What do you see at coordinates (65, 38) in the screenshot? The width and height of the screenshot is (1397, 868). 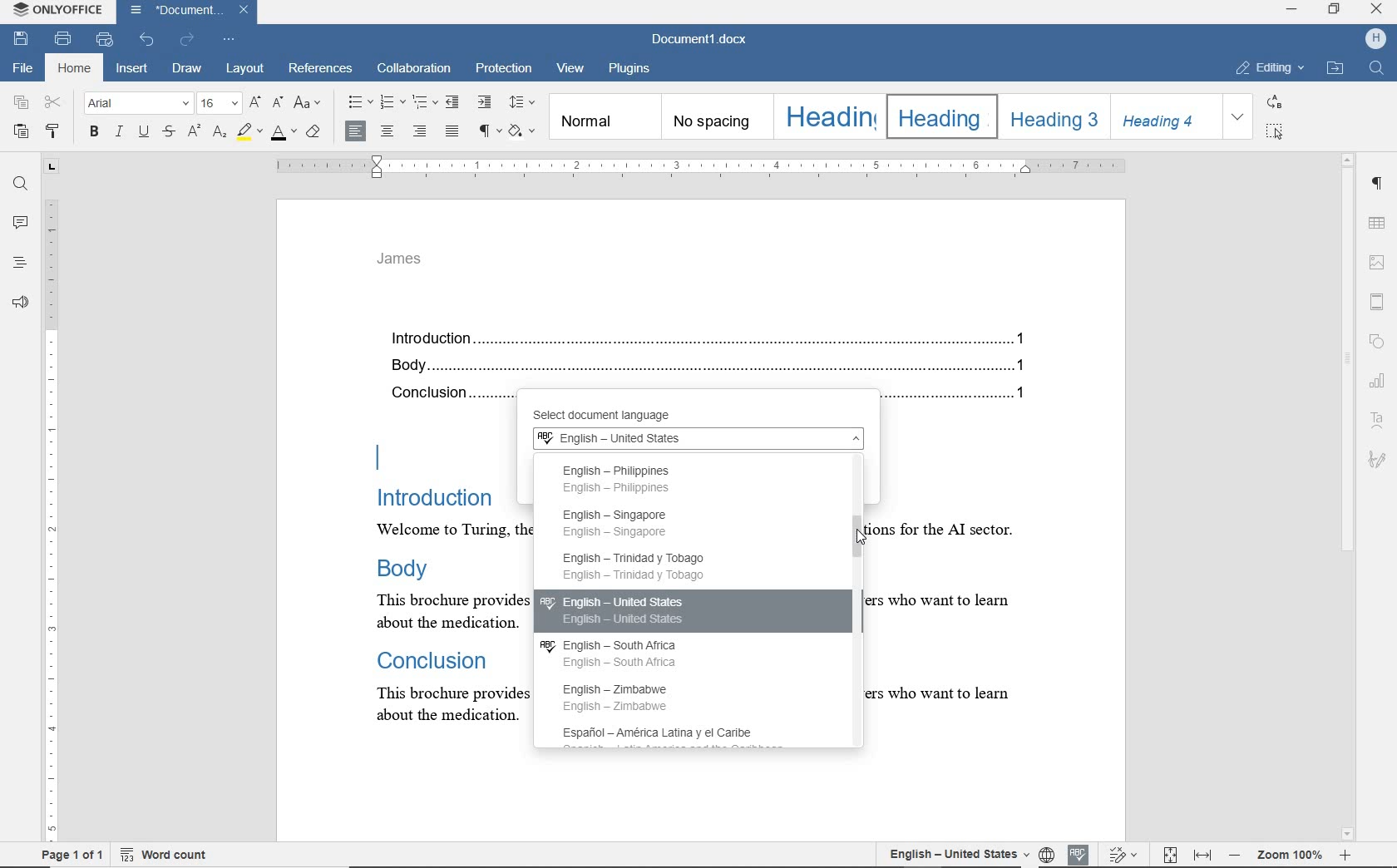 I see `print` at bounding box center [65, 38].